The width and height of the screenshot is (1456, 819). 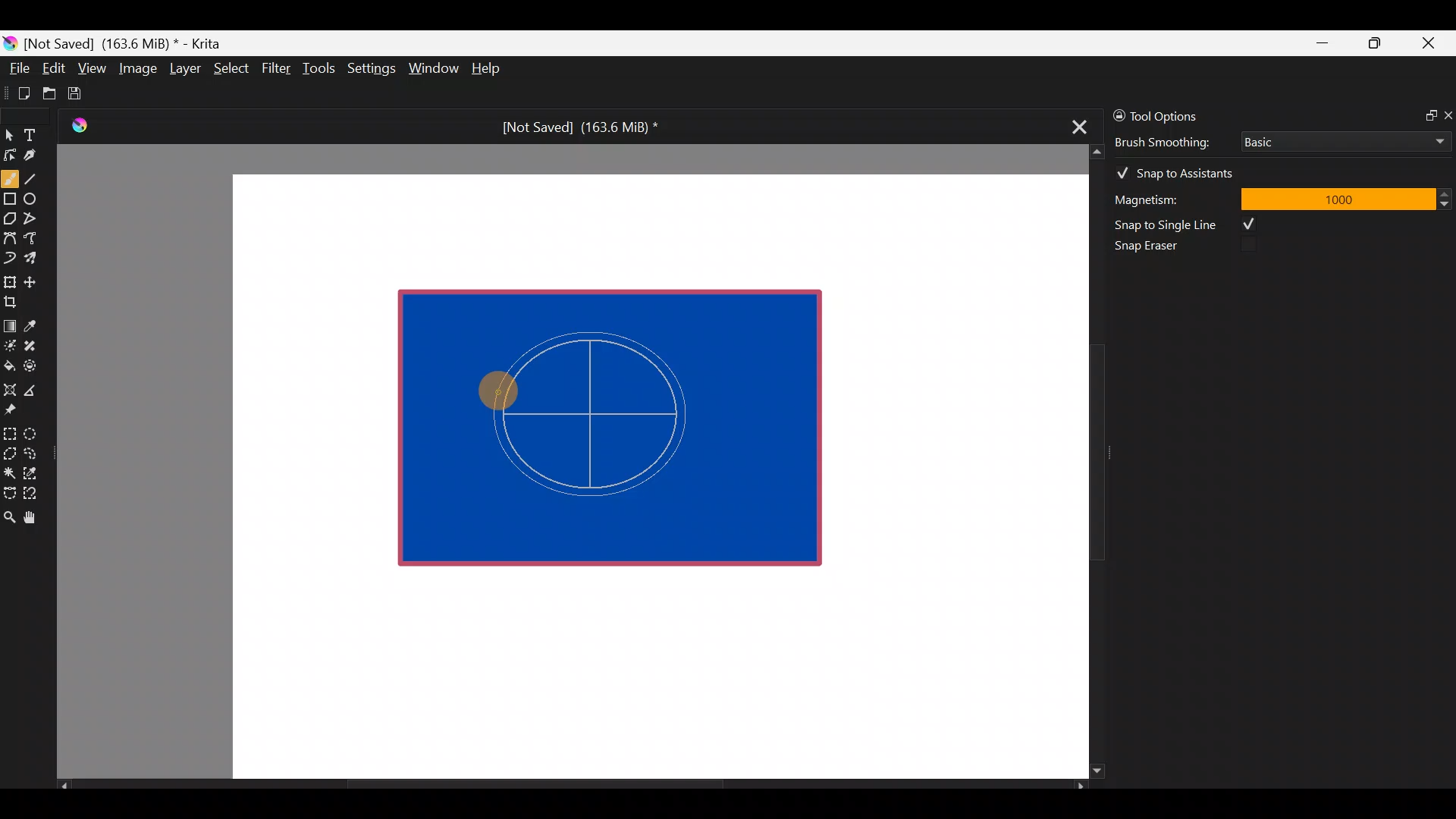 What do you see at coordinates (37, 197) in the screenshot?
I see `Ellipse tool` at bounding box center [37, 197].